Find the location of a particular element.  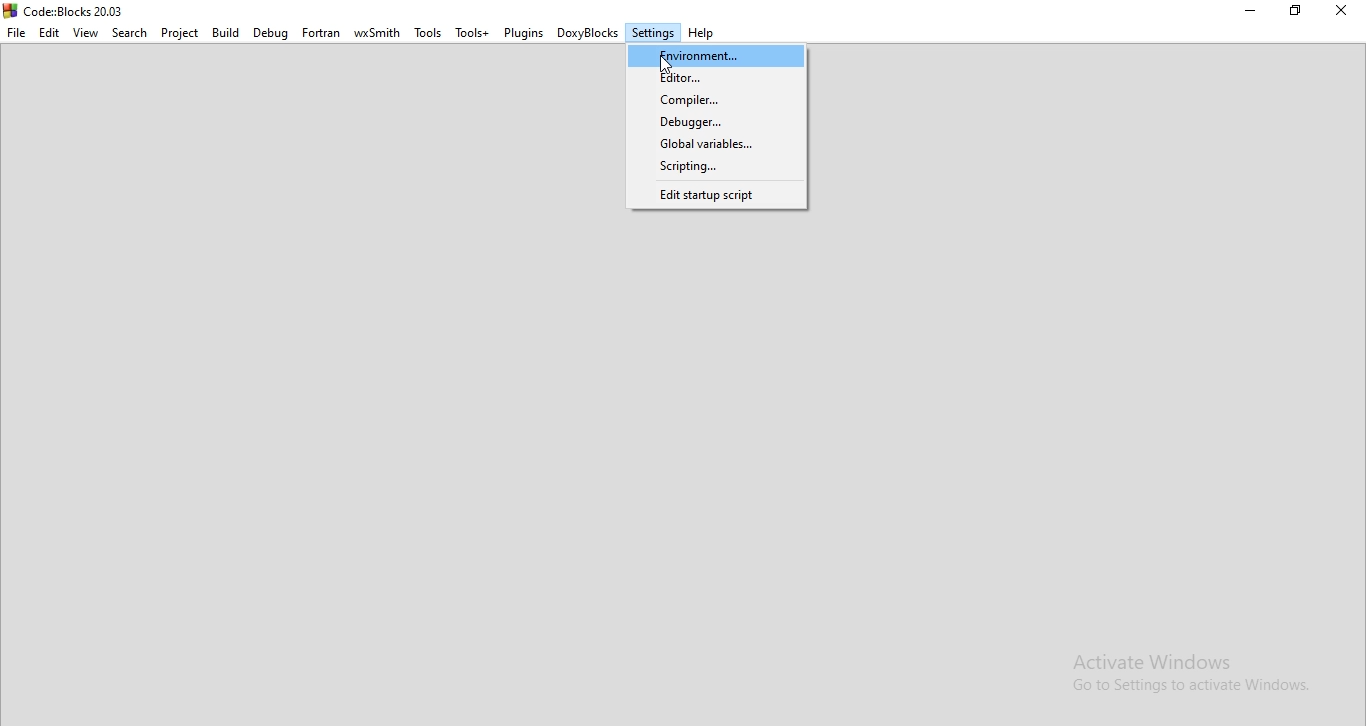

Debugger is located at coordinates (714, 120).